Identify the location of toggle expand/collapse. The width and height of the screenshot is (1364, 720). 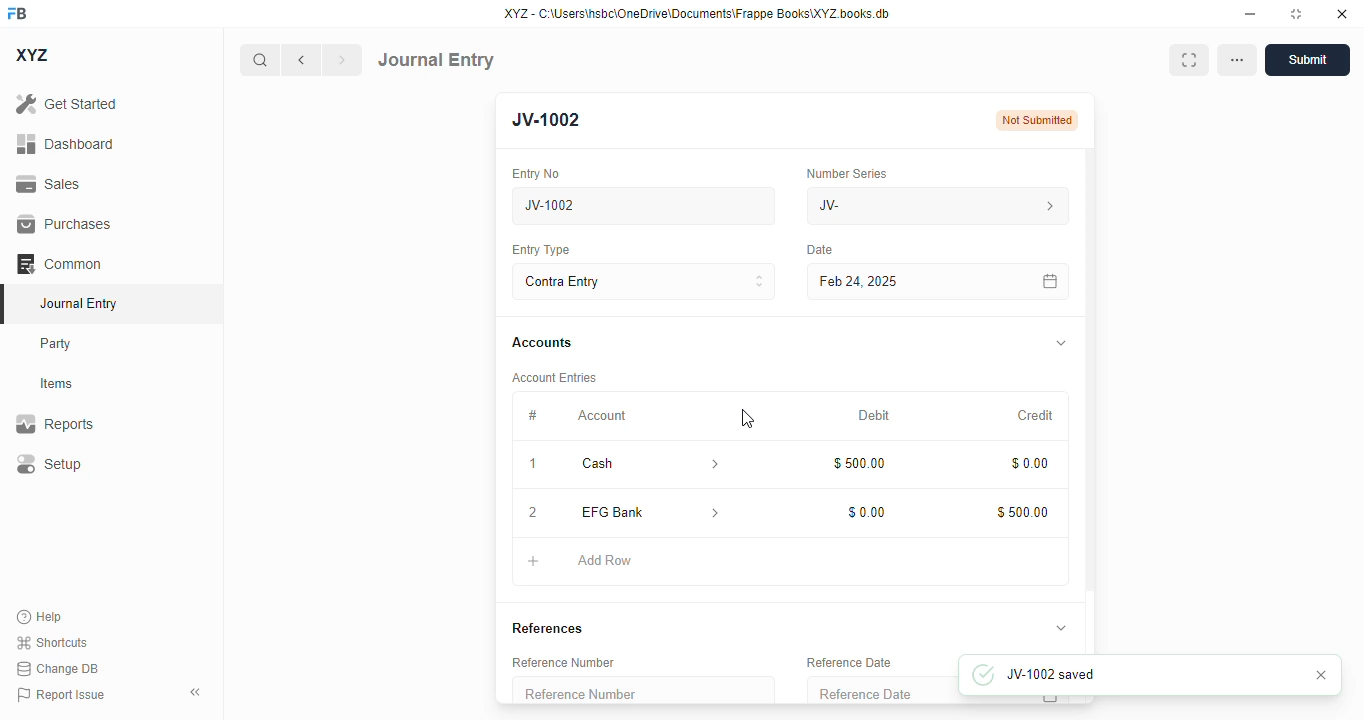
(1061, 627).